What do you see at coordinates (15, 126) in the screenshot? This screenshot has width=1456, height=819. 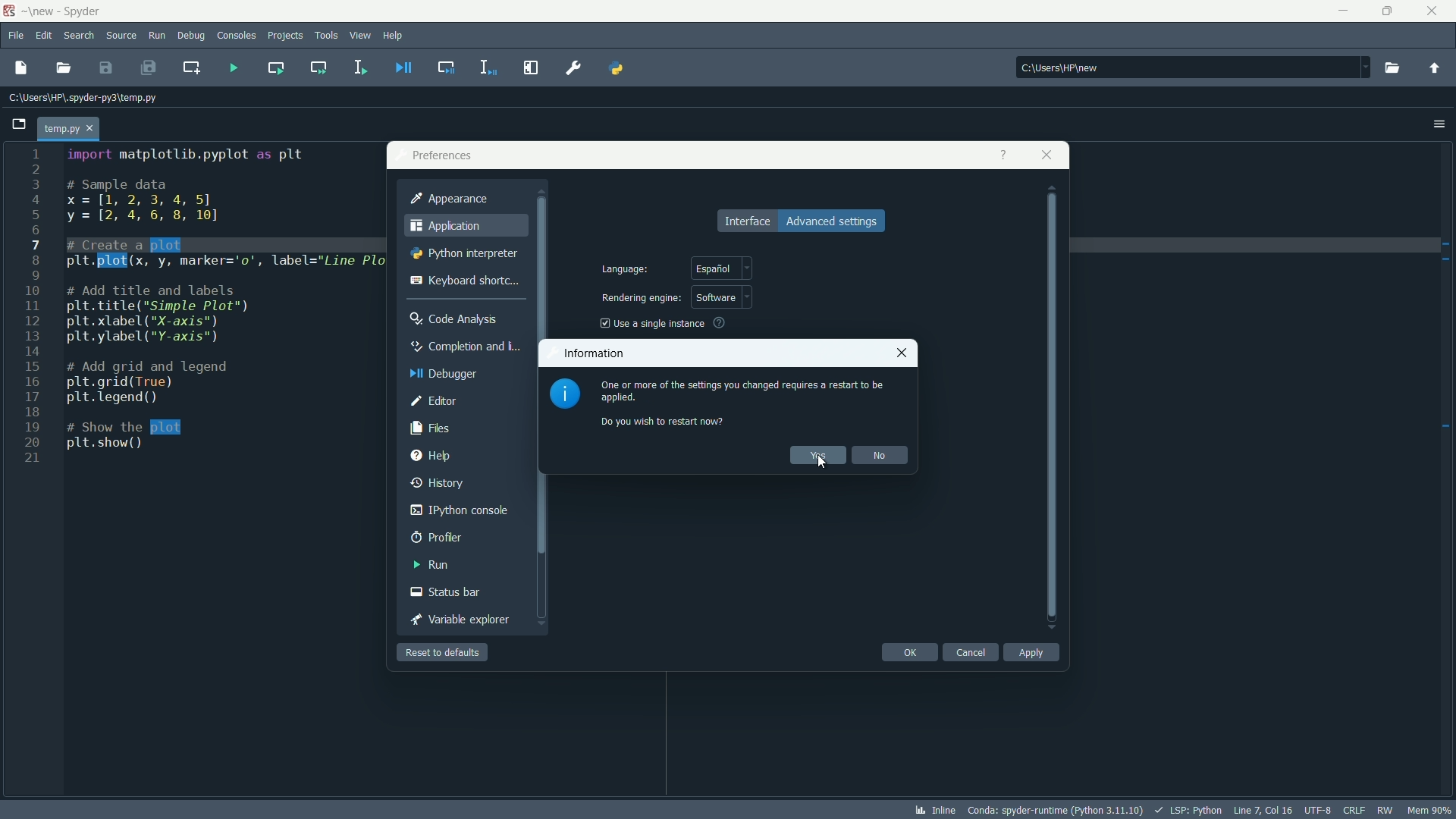 I see `browse tabs` at bounding box center [15, 126].